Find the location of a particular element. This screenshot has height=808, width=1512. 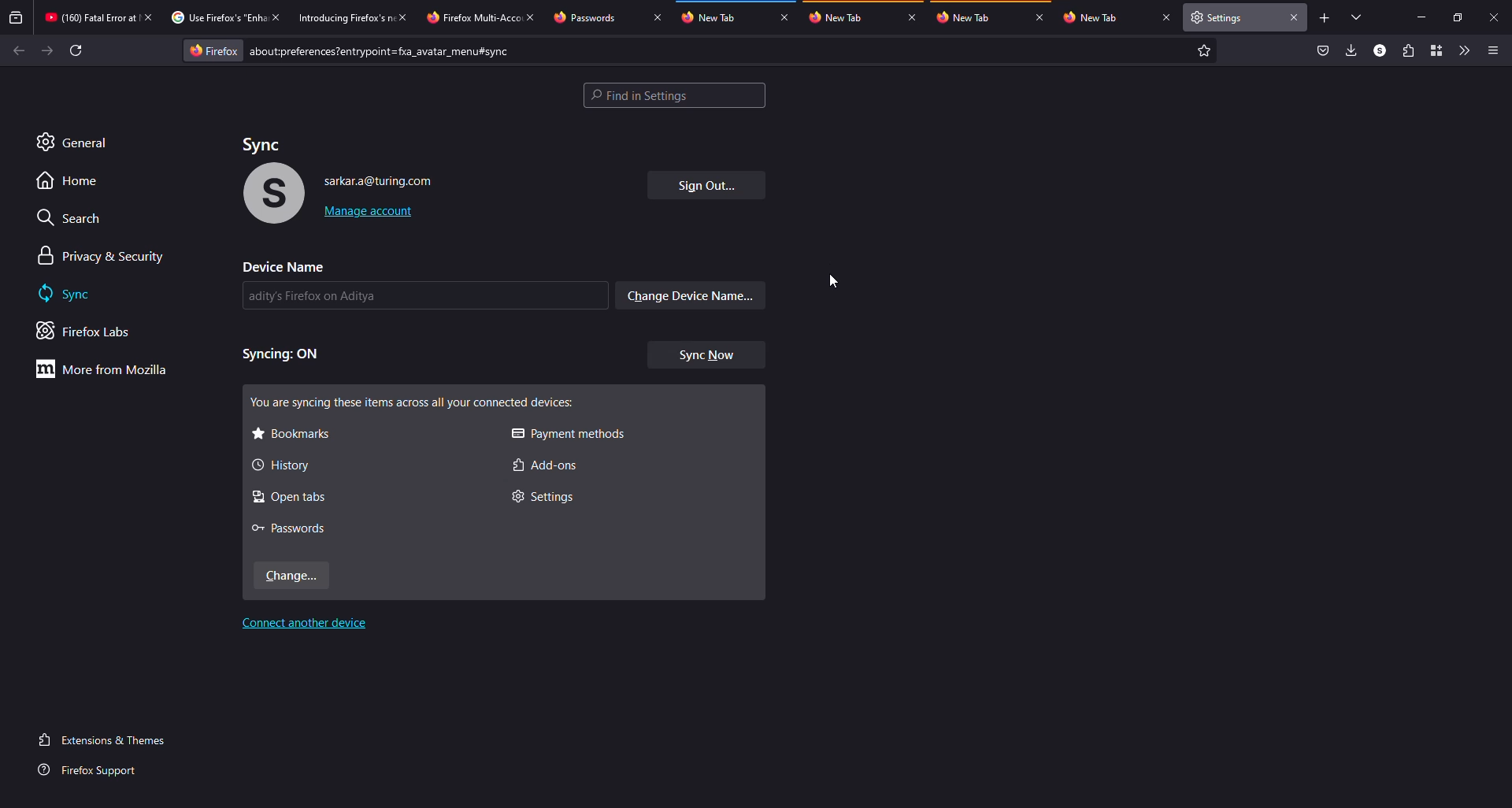

menu is located at coordinates (1494, 50).